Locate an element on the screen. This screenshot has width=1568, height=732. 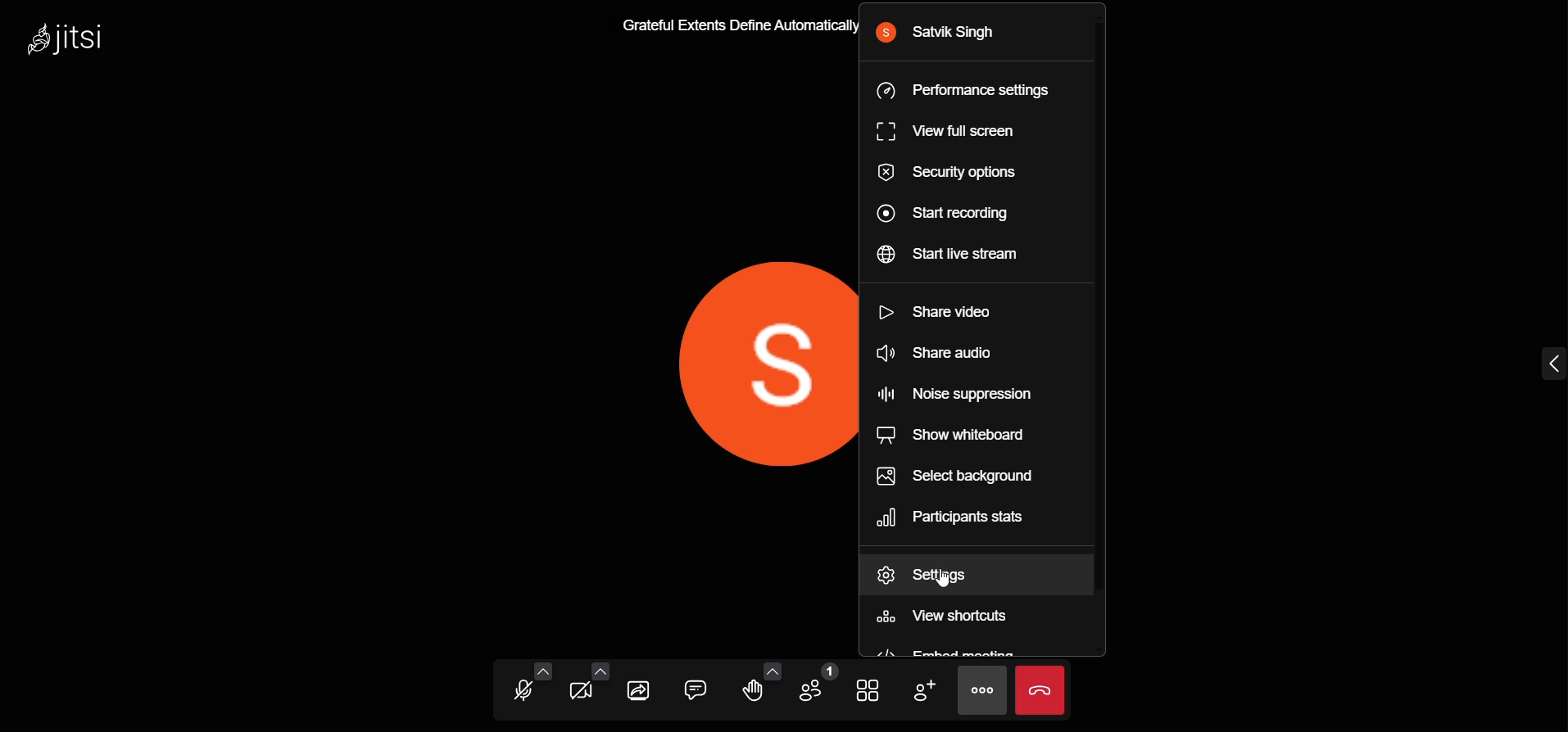
logo is located at coordinates (71, 38).